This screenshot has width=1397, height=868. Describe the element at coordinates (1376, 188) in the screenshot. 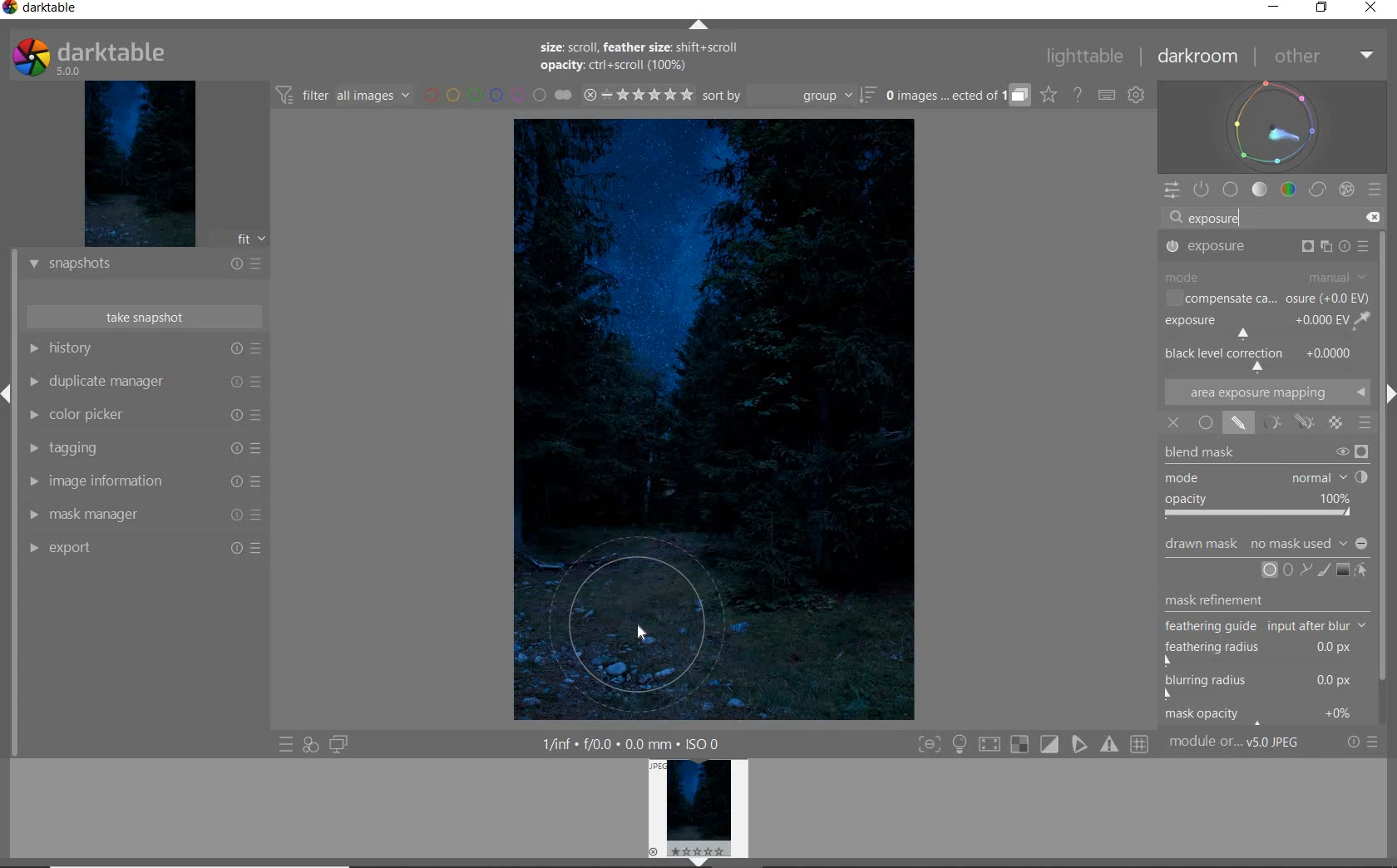

I see `PRESETS` at that location.